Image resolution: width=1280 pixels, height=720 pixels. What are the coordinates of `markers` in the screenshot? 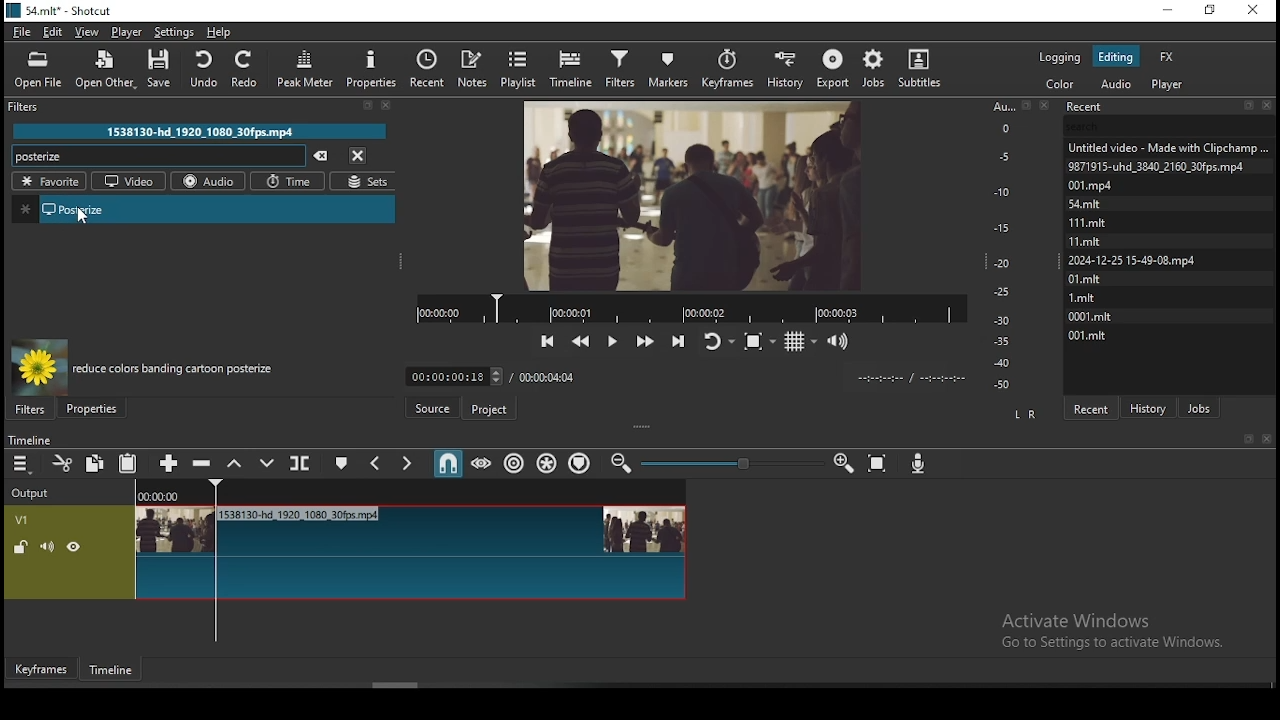 It's located at (669, 69).